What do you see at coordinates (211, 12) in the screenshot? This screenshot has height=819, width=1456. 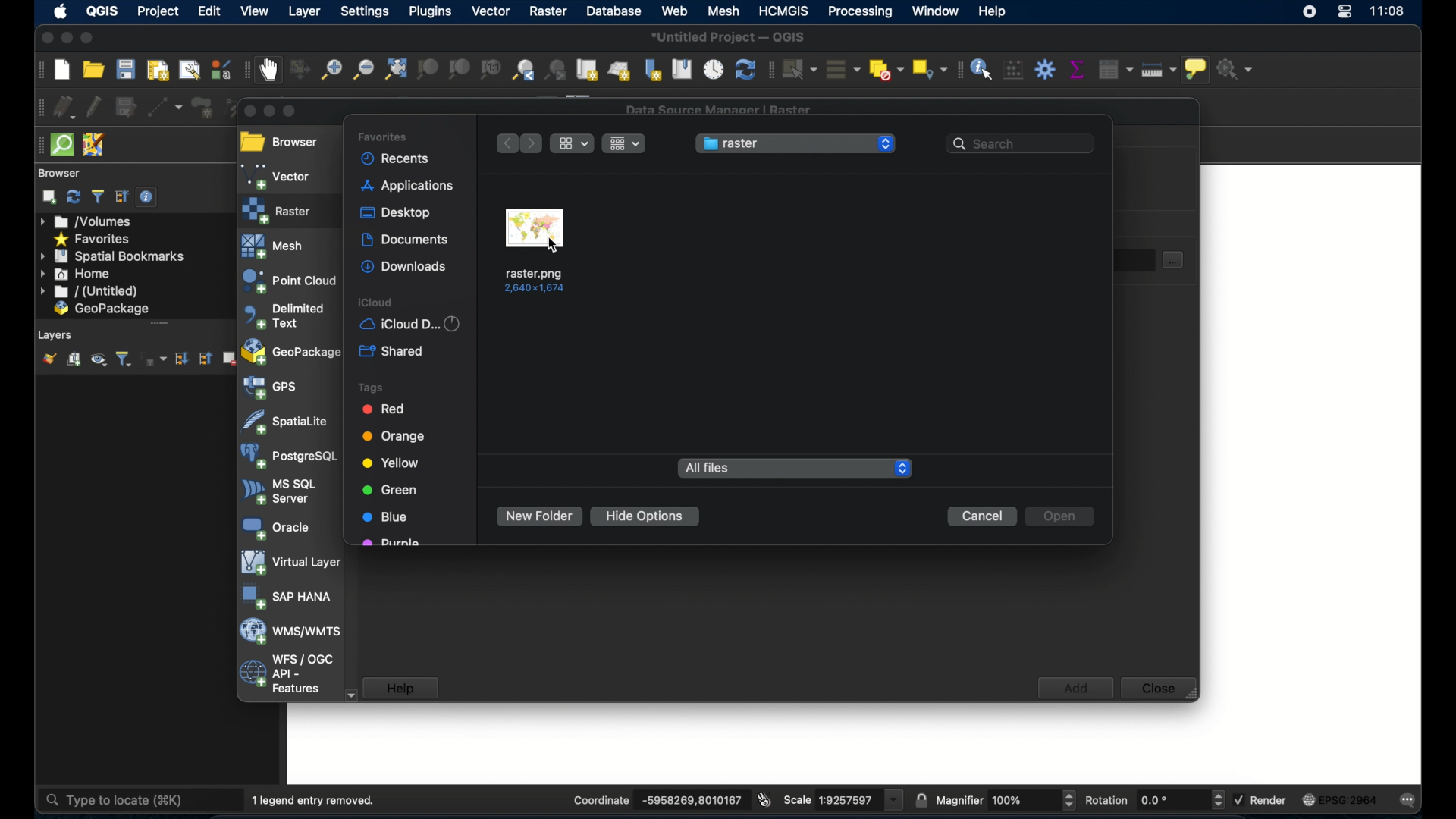 I see `edit` at bounding box center [211, 12].